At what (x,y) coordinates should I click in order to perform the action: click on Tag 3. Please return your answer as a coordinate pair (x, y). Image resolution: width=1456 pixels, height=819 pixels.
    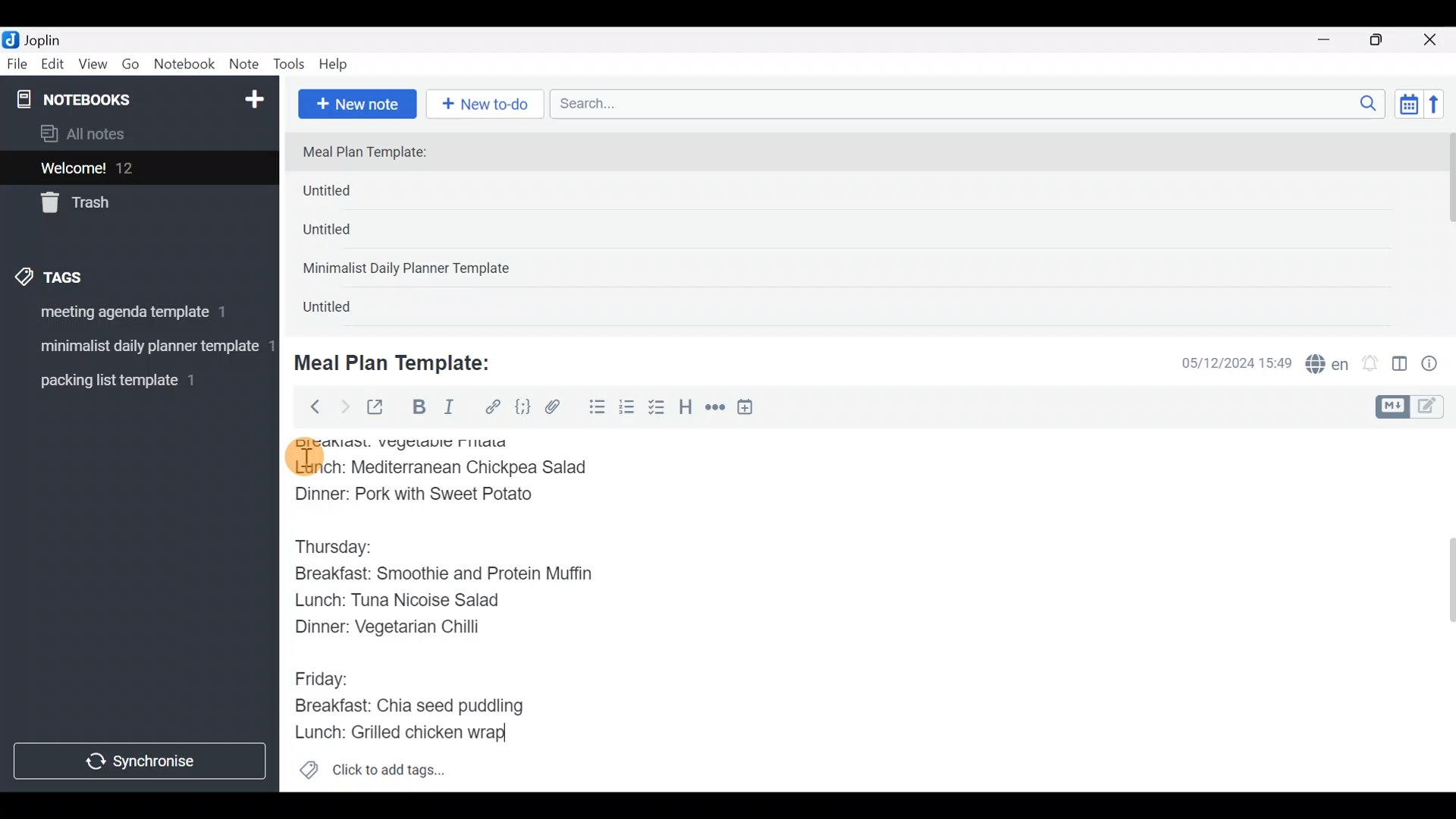
    Looking at the image, I should click on (134, 380).